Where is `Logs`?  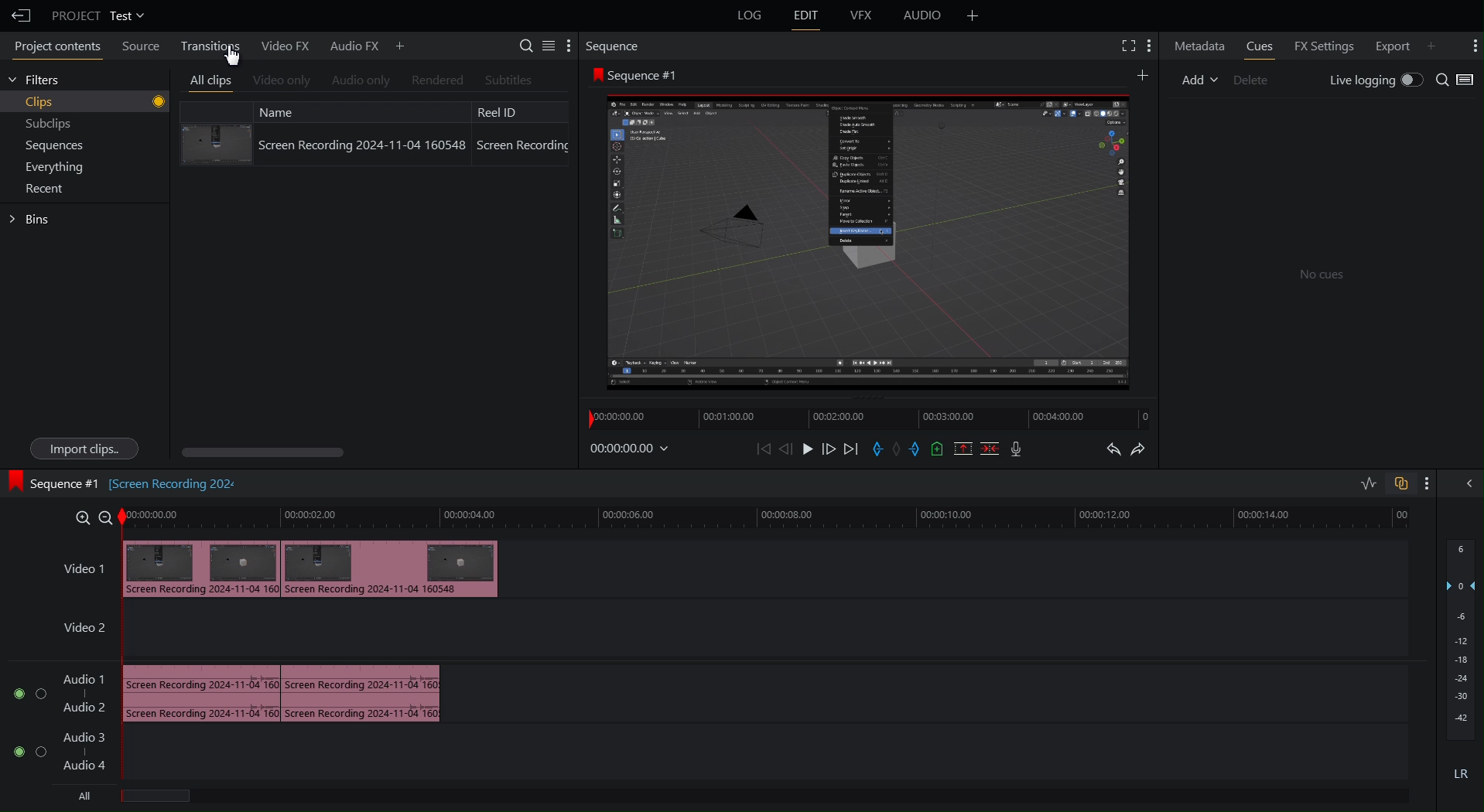 Logs is located at coordinates (742, 19).